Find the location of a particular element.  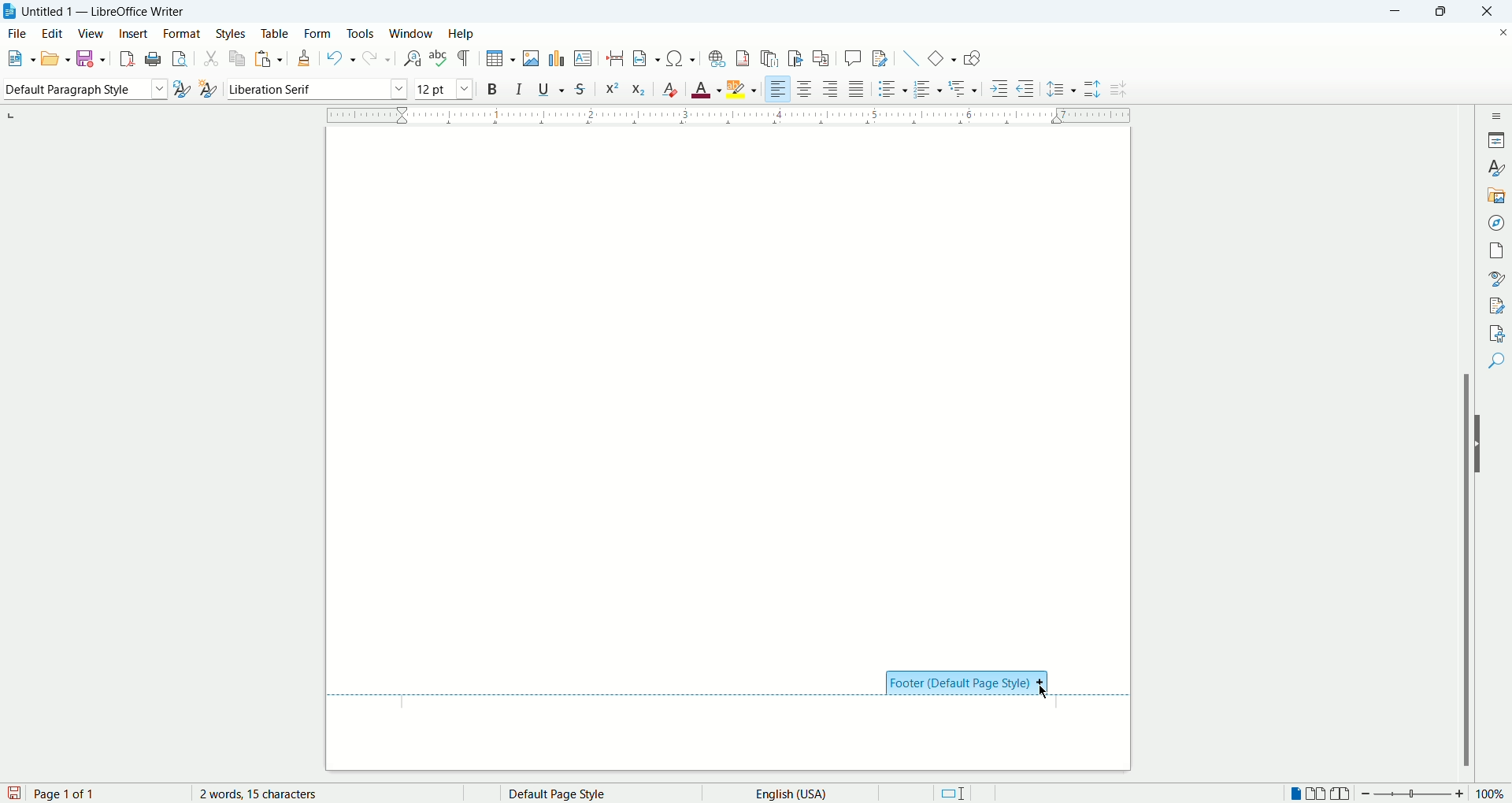

text highlighting is located at coordinates (743, 90).